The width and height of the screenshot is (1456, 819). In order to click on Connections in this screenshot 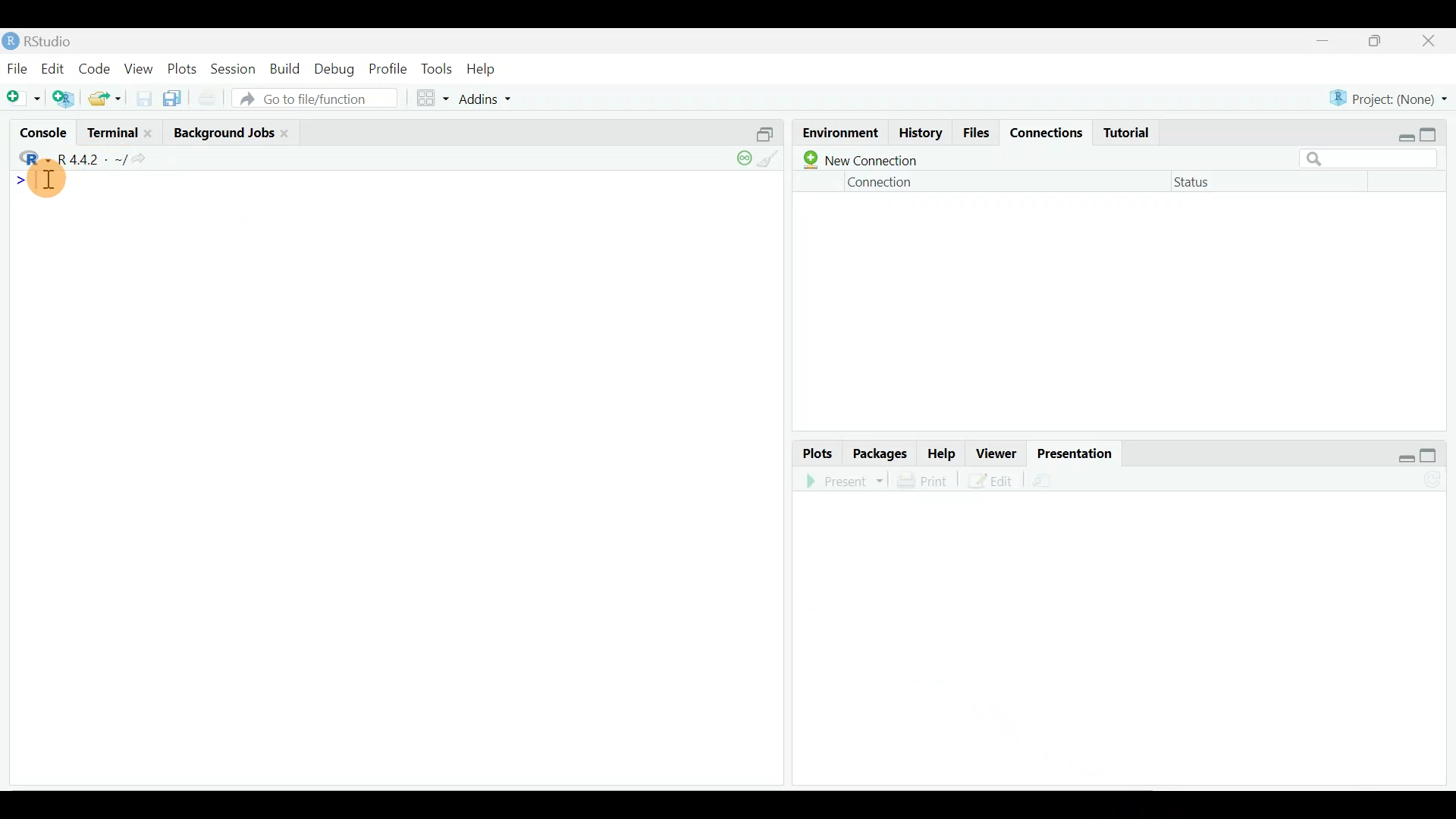, I will do `click(1042, 129)`.